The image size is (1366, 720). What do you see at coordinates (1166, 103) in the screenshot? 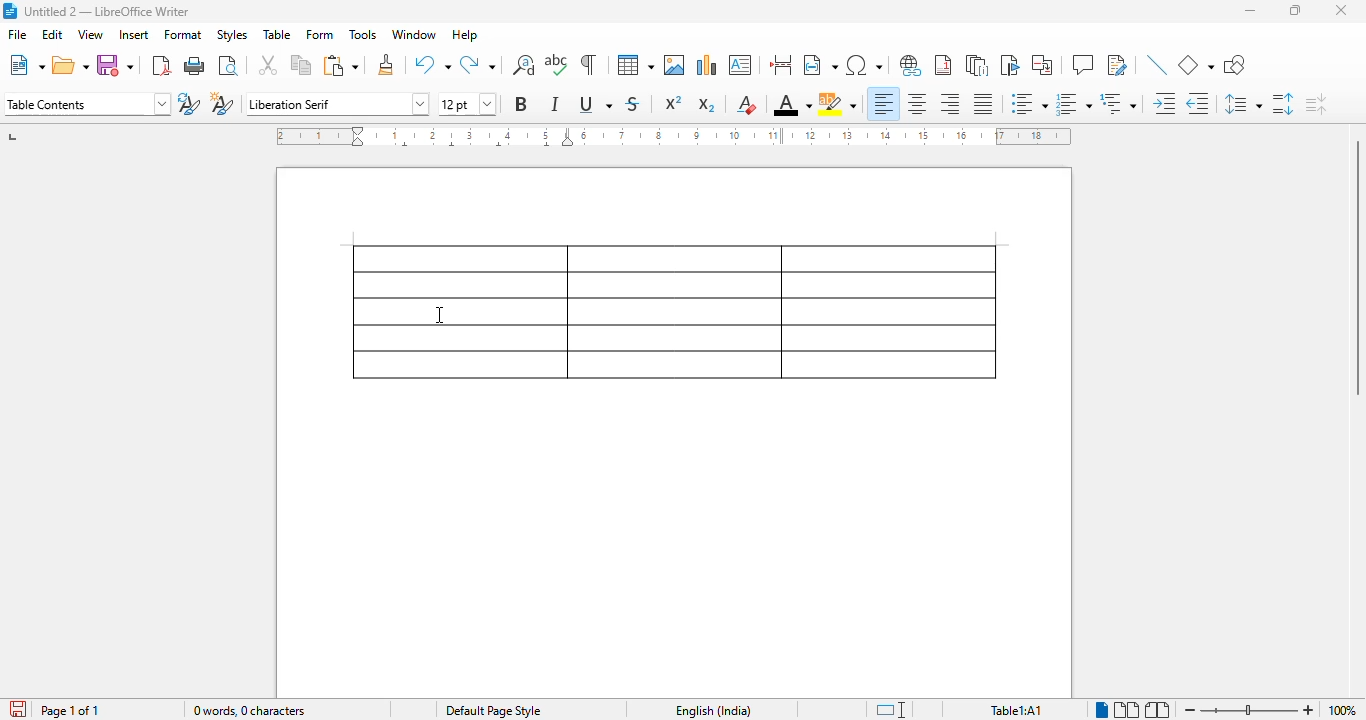
I see `increase indent` at bounding box center [1166, 103].